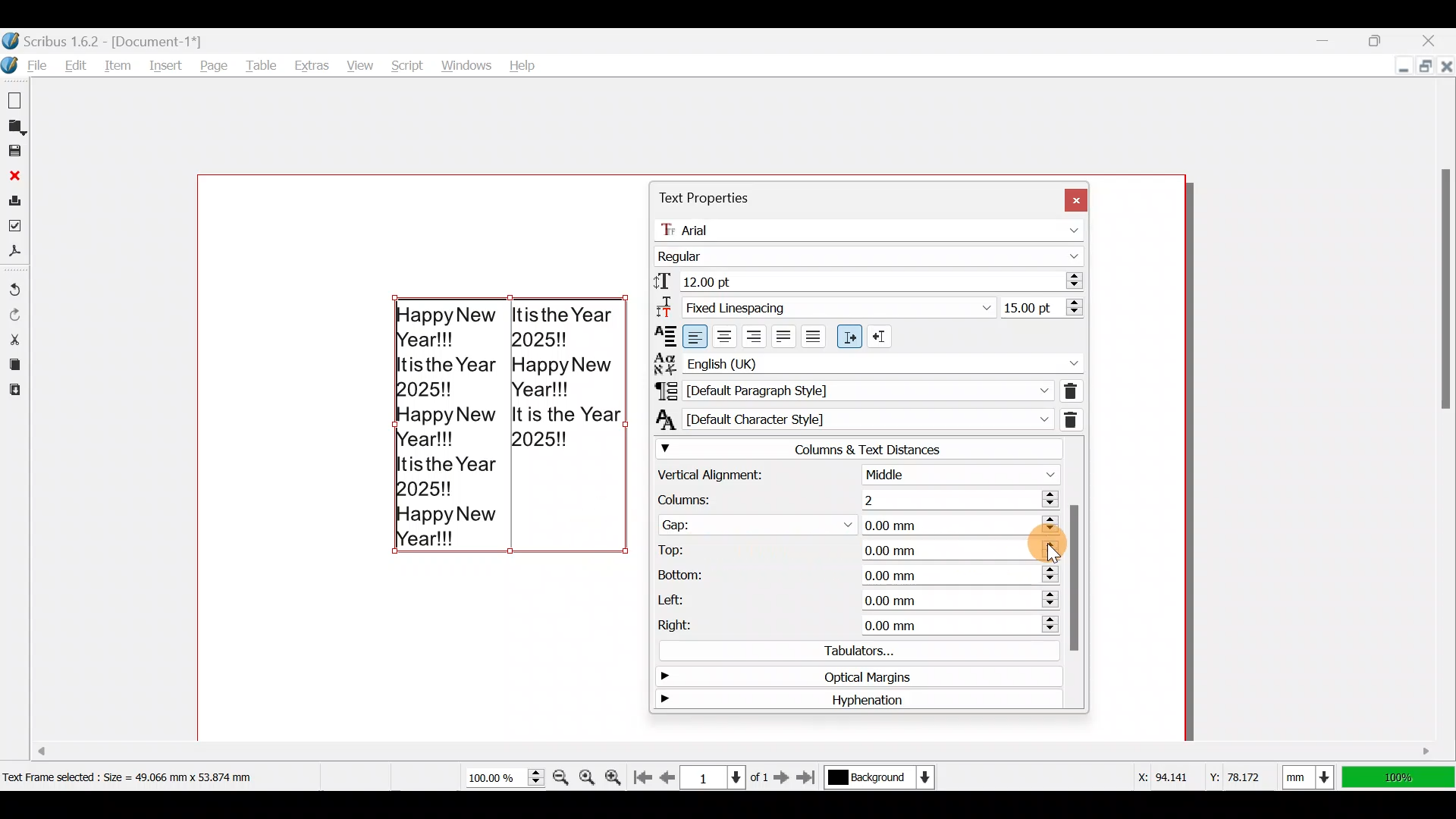 The width and height of the screenshot is (1456, 819). What do you see at coordinates (810, 777) in the screenshot?
I see `Go to the last page` at bounding box center [810, 777].